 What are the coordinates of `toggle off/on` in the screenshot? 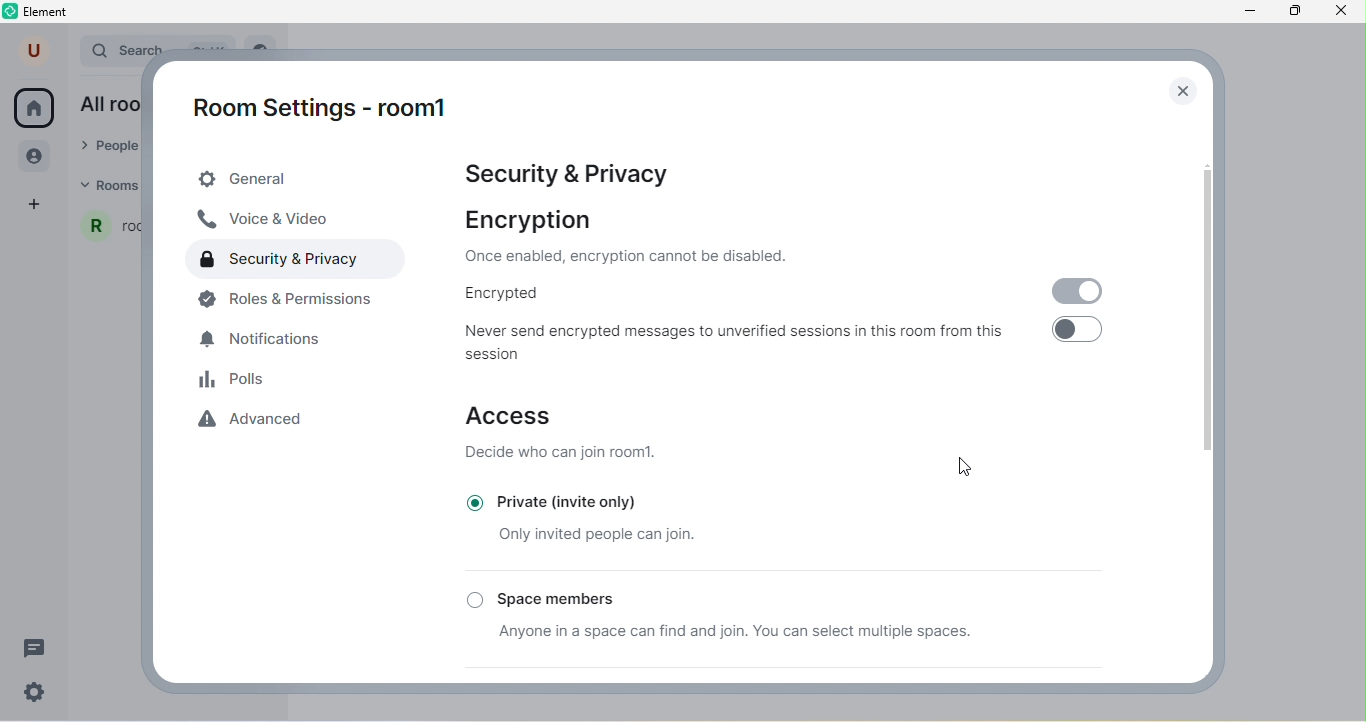 It's located at (1077, 291).